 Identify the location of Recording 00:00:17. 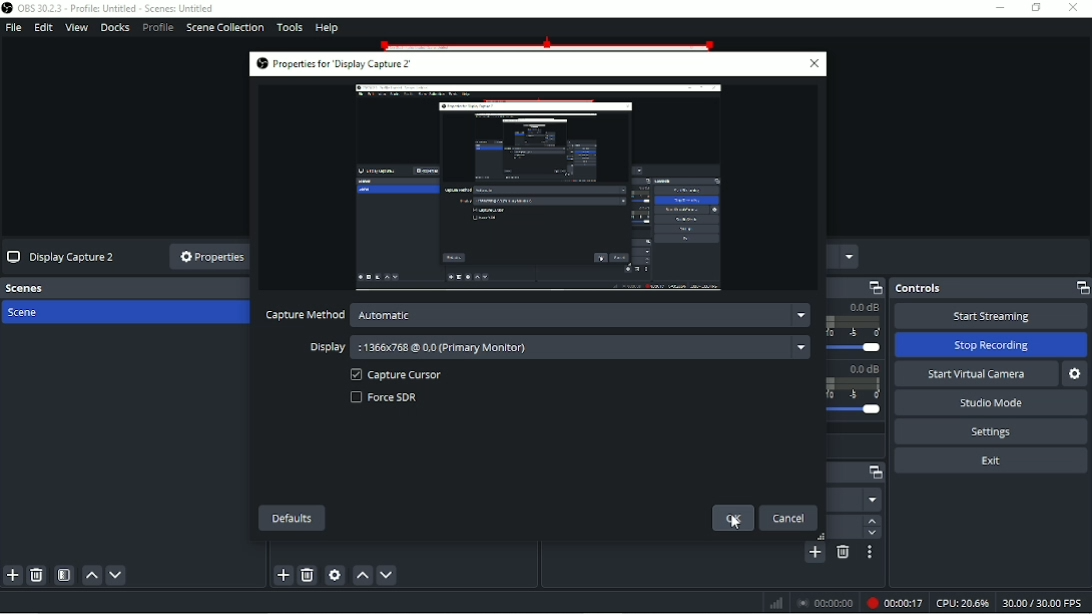
(894, 602).